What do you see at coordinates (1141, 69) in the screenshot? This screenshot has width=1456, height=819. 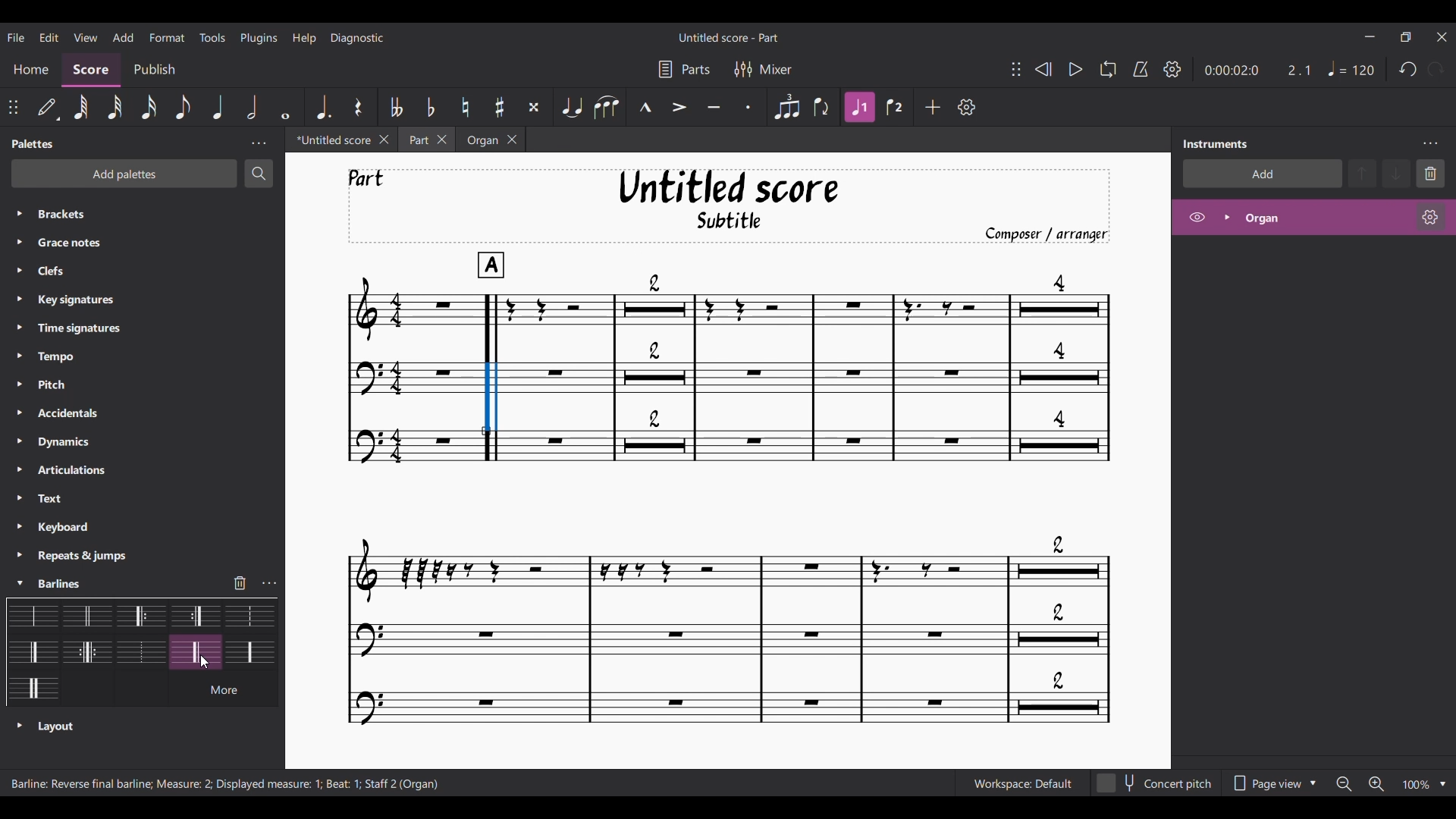 I see `Metronome` at bounding box center [1141, 69].